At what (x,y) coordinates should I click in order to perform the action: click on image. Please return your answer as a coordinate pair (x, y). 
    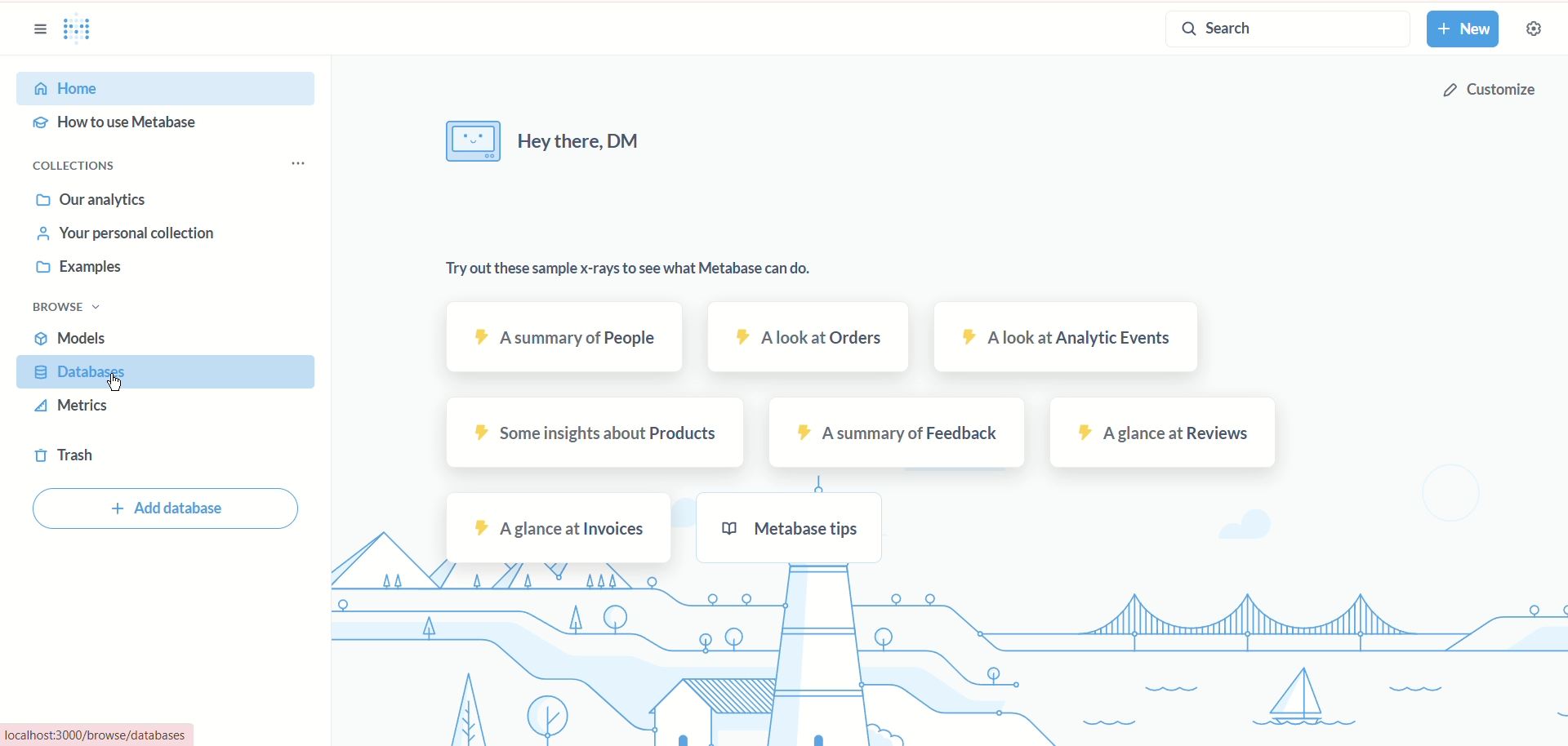
    Looking at the image, I should click on (473, 140).